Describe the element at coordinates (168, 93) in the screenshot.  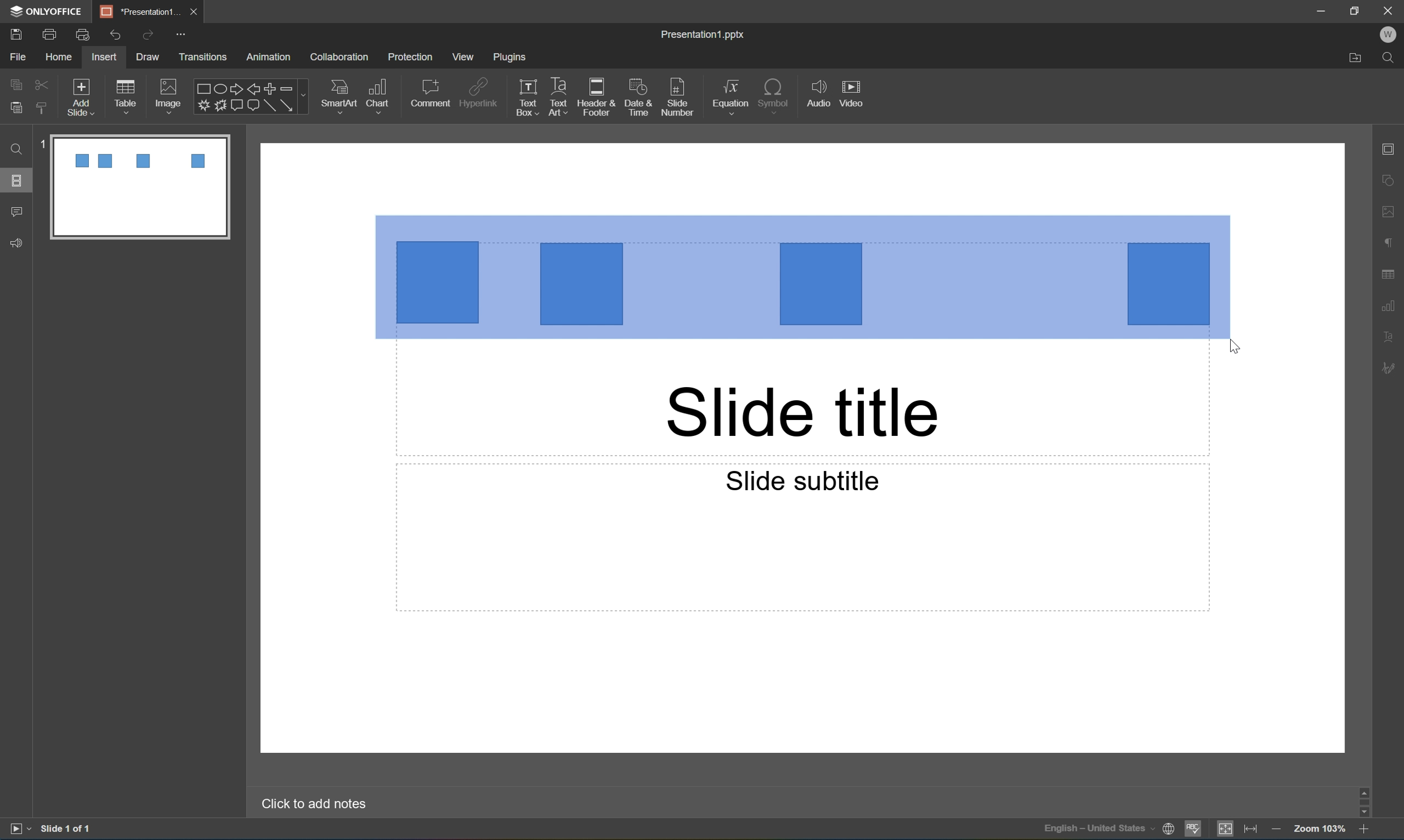
I see `image` at that location.